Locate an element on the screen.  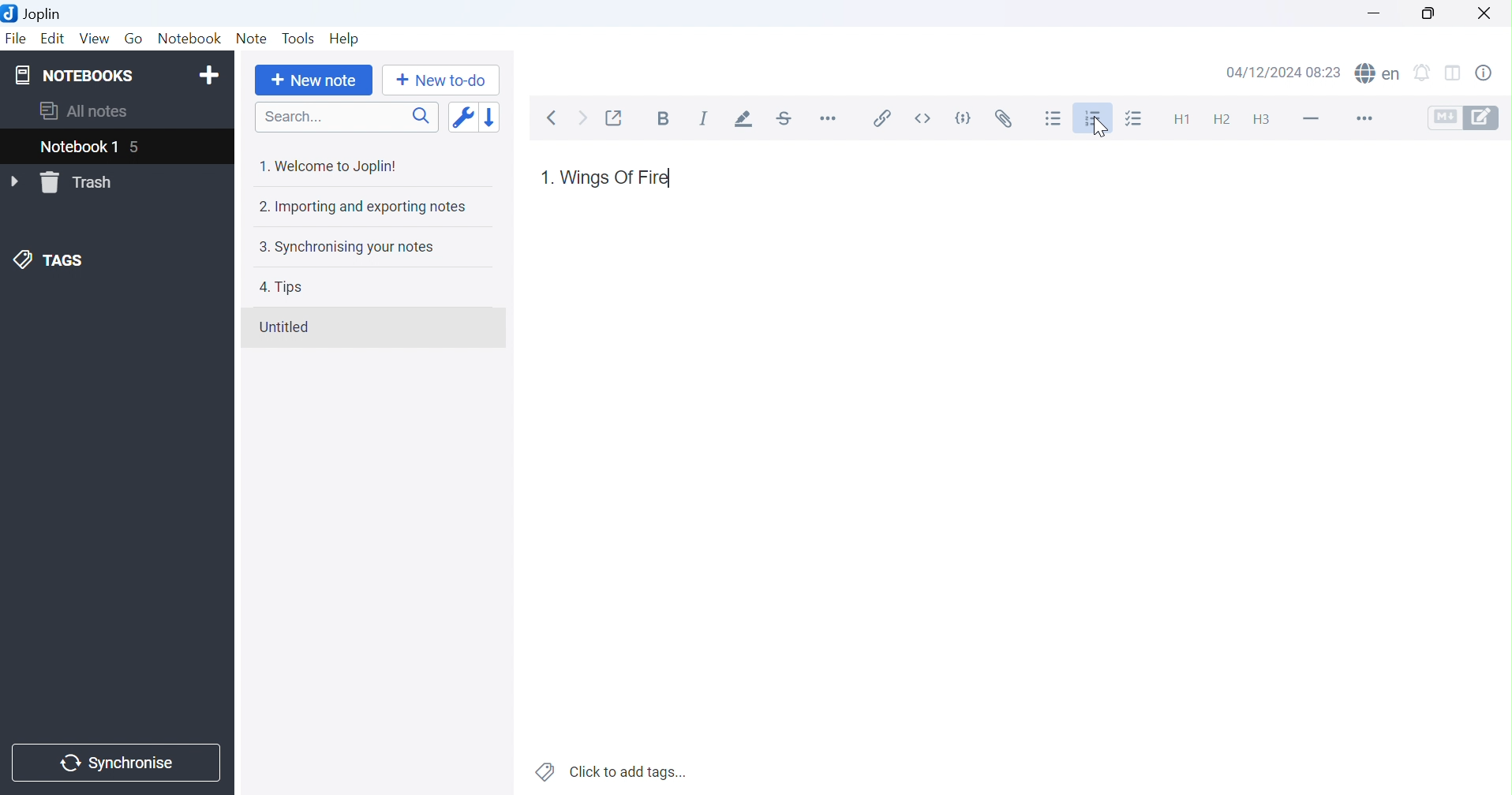
Notebook is located at coordinates (189, 37).